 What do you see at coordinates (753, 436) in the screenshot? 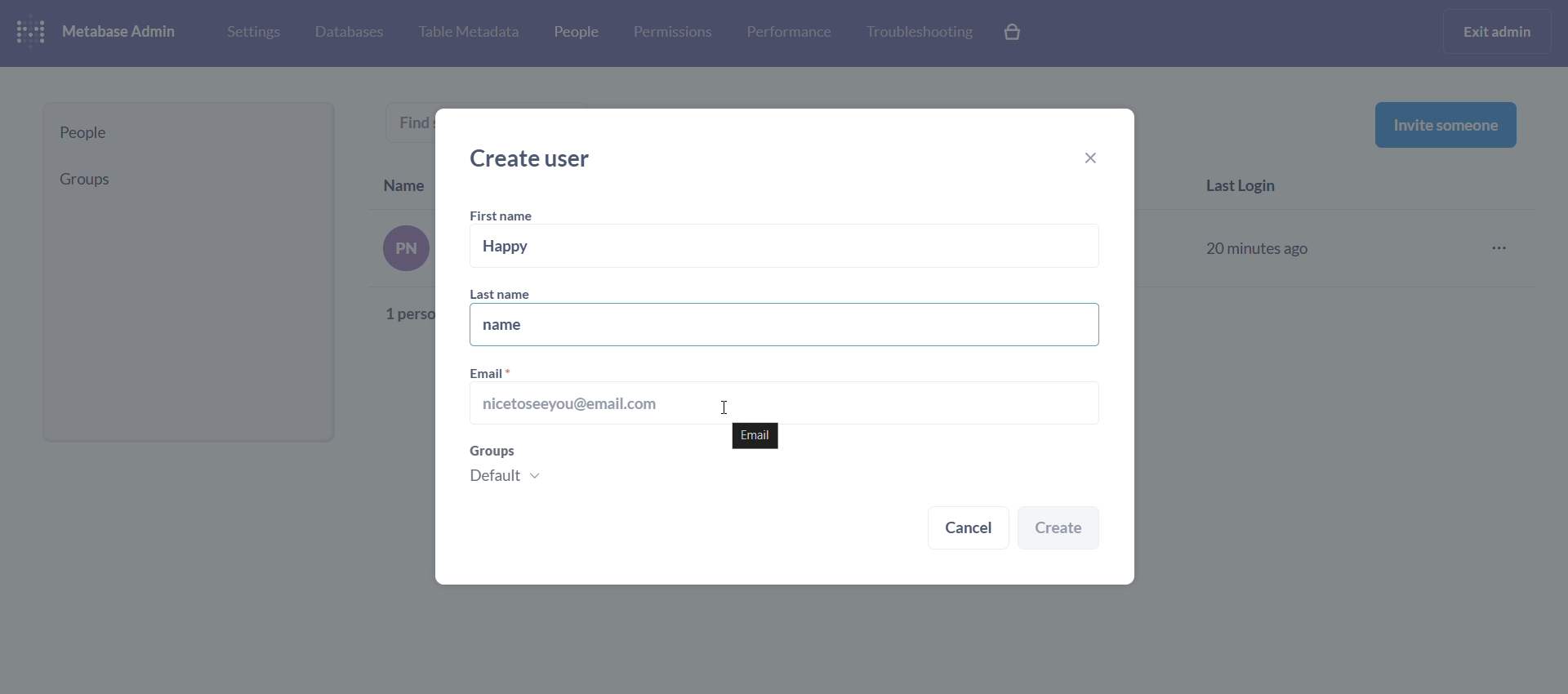
I see `email` at bounding box center [753, 436].